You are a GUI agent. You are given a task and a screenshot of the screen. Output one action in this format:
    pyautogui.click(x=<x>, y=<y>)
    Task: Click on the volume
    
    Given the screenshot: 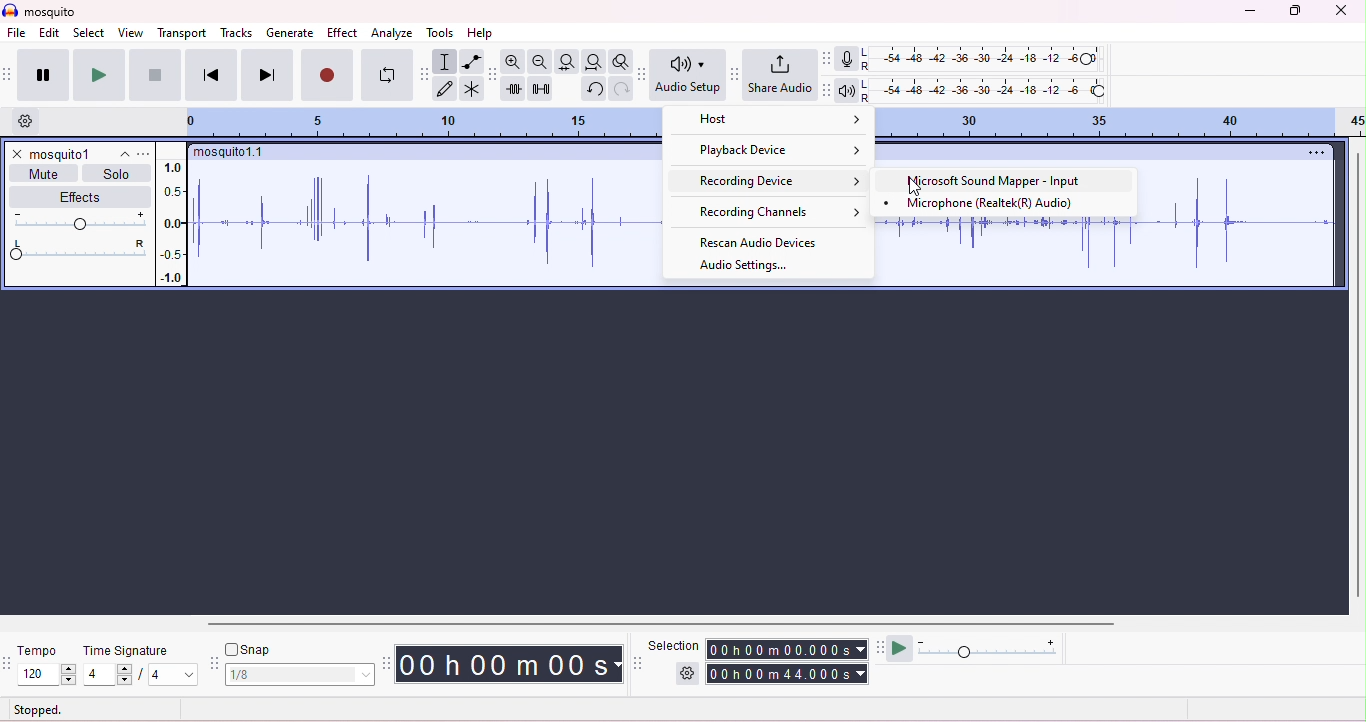 What is the action you would take?
    pyautogui.click(x=77, y=220)
    